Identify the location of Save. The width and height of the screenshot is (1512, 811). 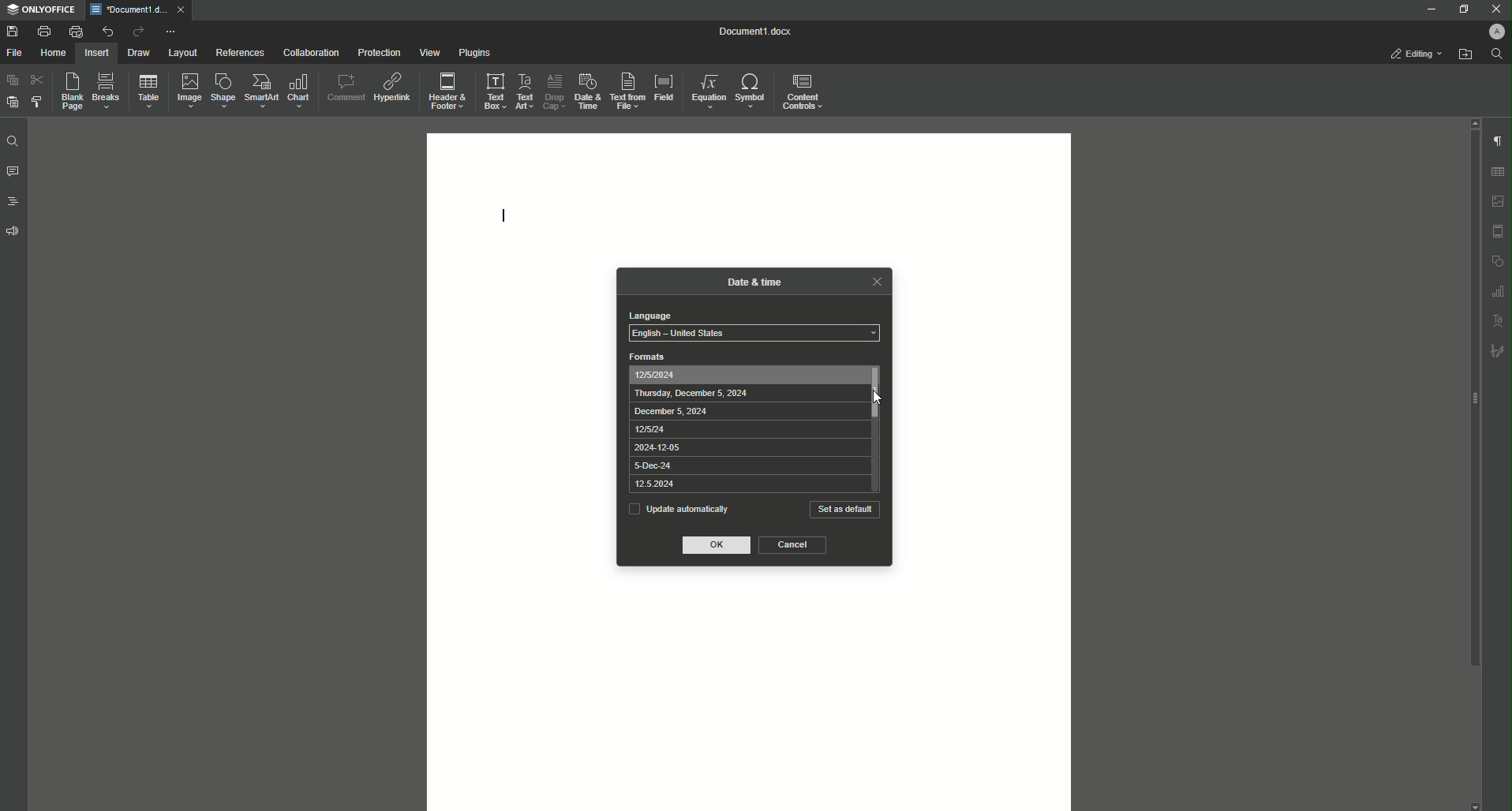
(12, 31).